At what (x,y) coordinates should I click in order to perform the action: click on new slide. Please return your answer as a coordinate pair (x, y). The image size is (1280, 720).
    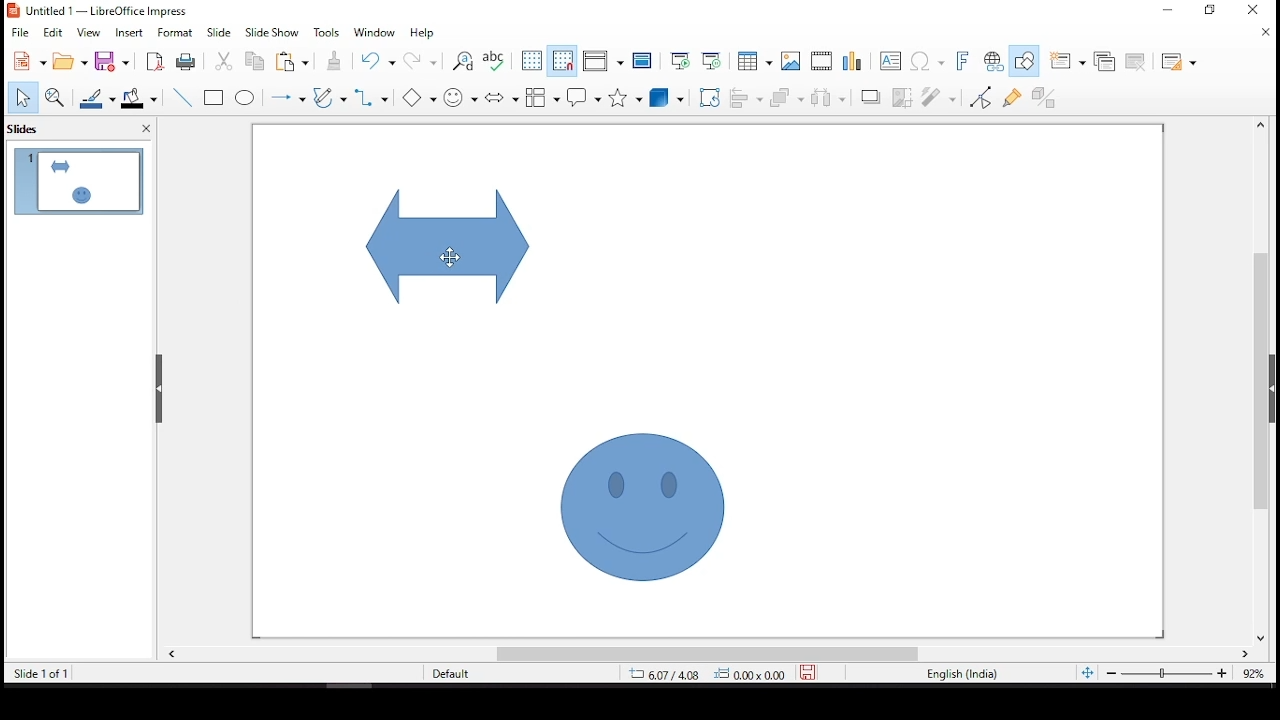
    Looking at the image, I should click on (1067, 60).